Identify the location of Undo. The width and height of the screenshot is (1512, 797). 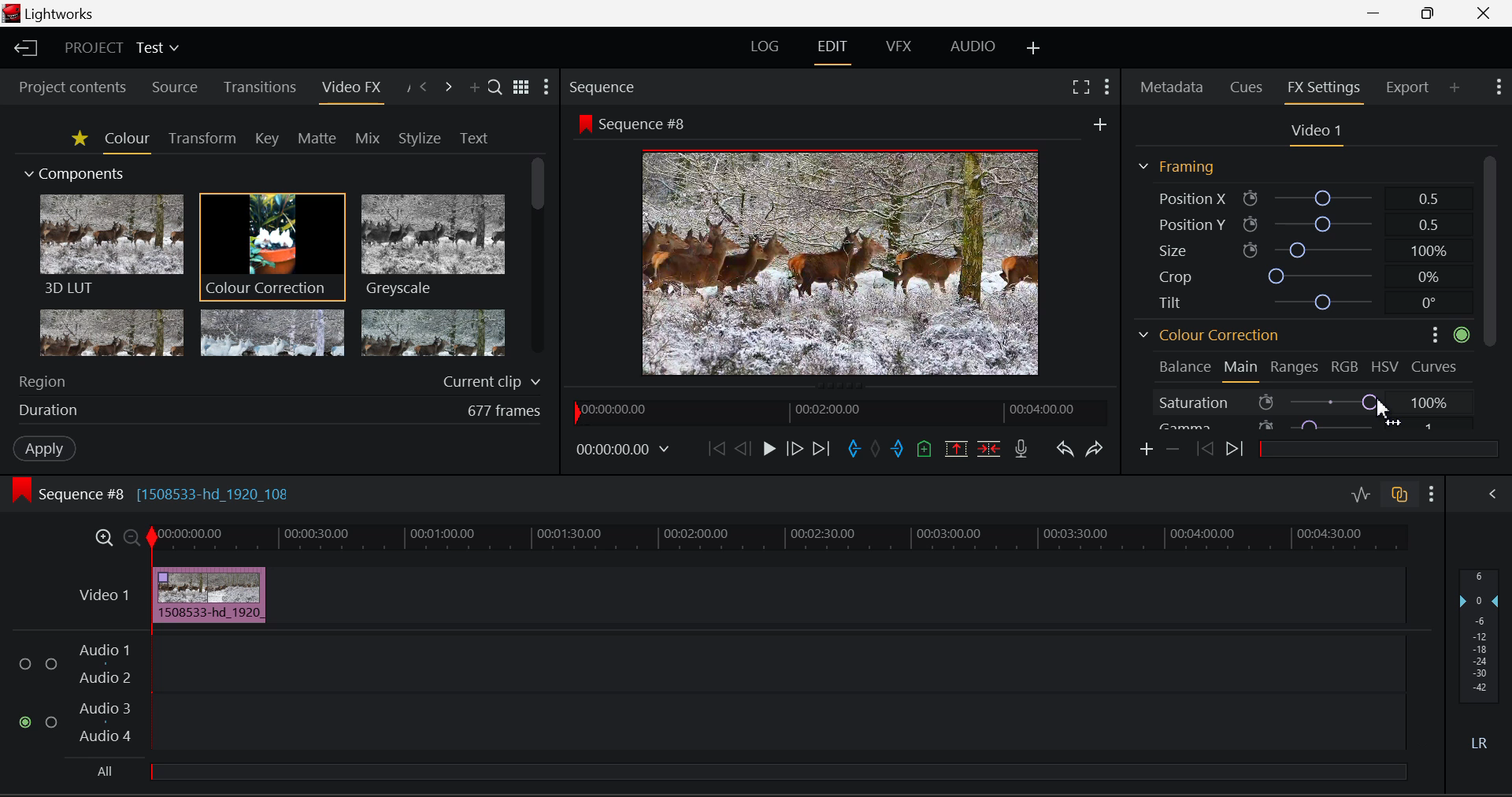
(1066, 450).